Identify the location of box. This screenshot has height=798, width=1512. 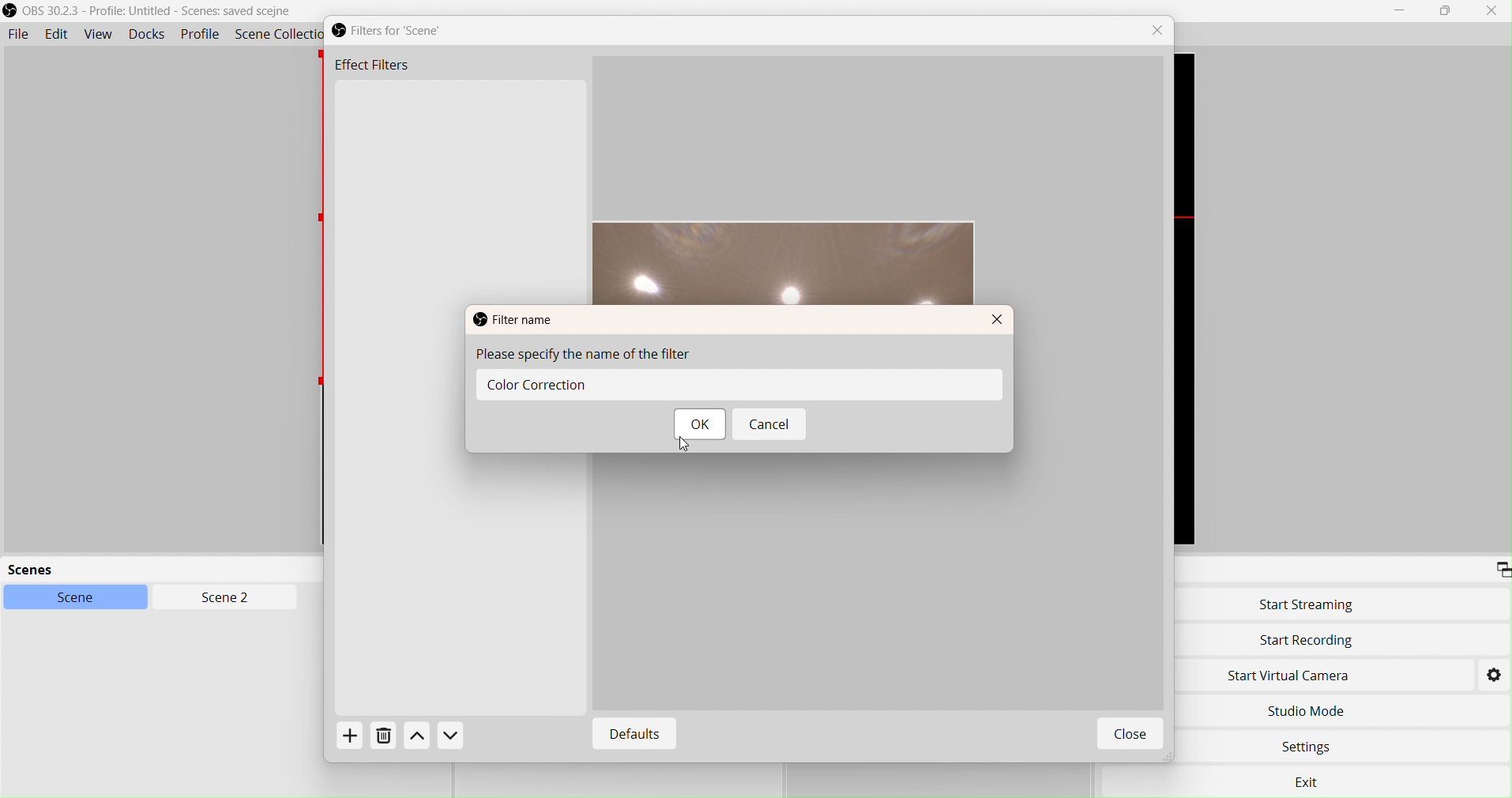
(1448, 12).